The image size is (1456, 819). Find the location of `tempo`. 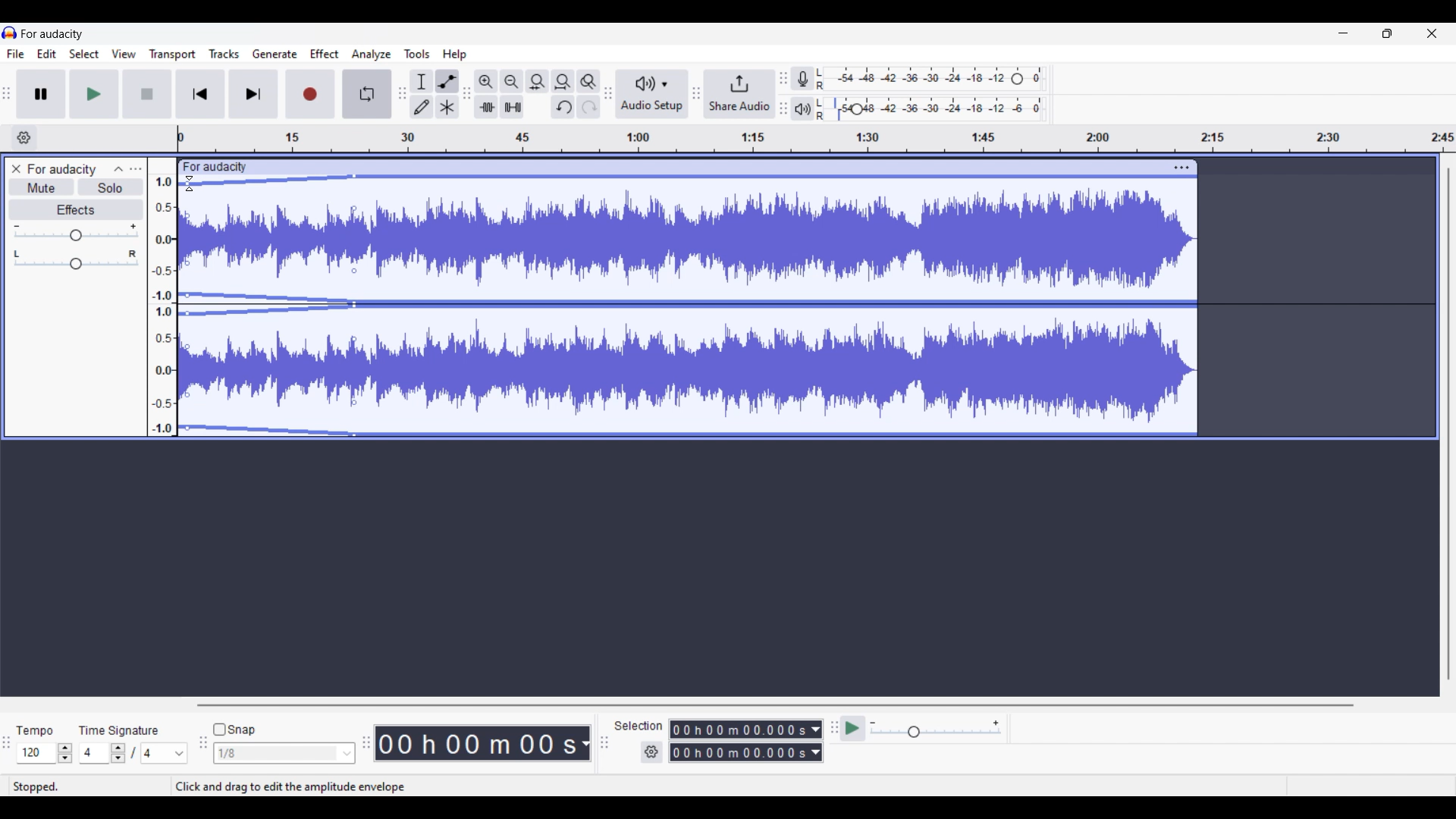

tempo is located at coordinates (33, 731).